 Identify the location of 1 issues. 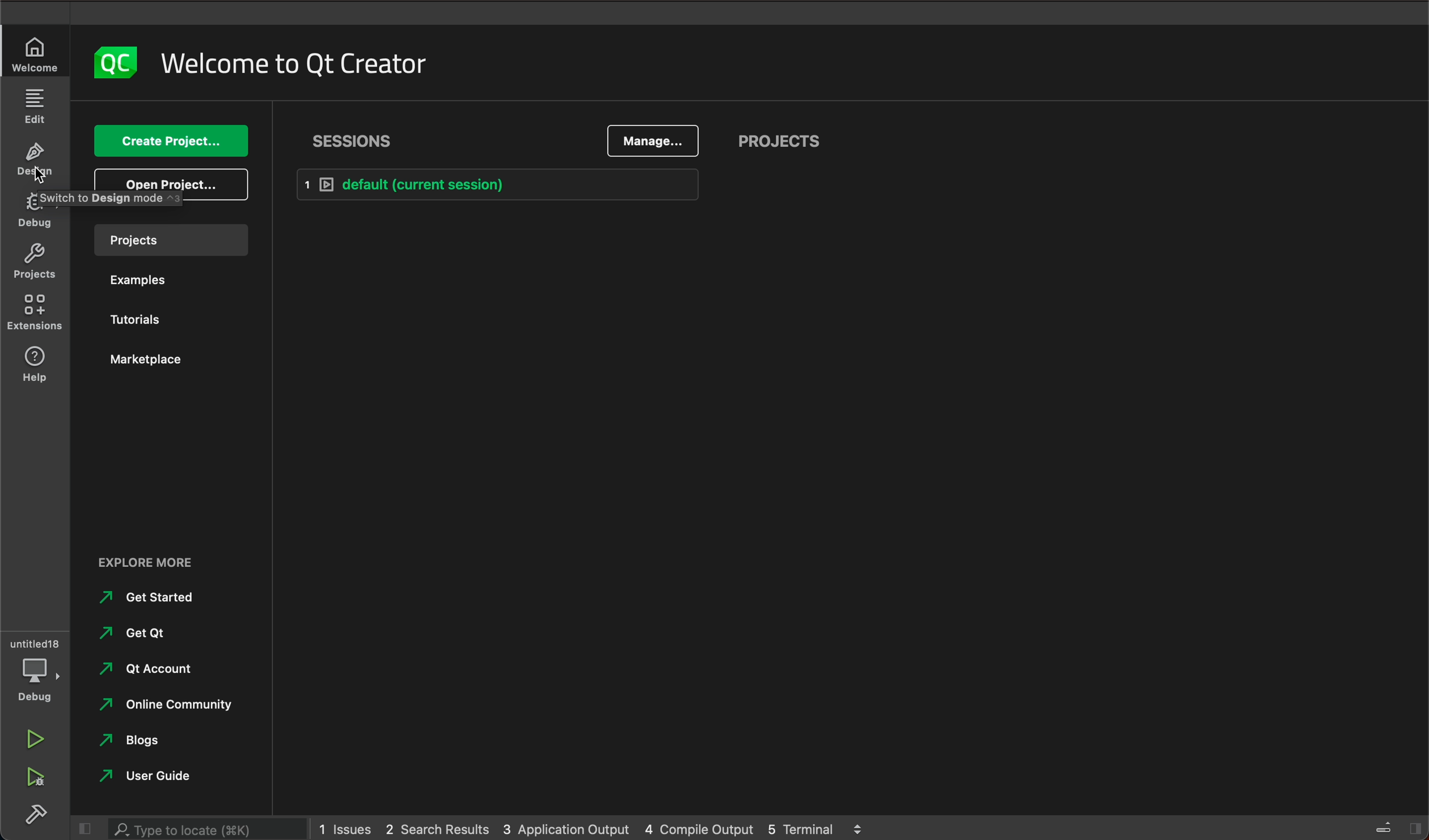
(346, 826).